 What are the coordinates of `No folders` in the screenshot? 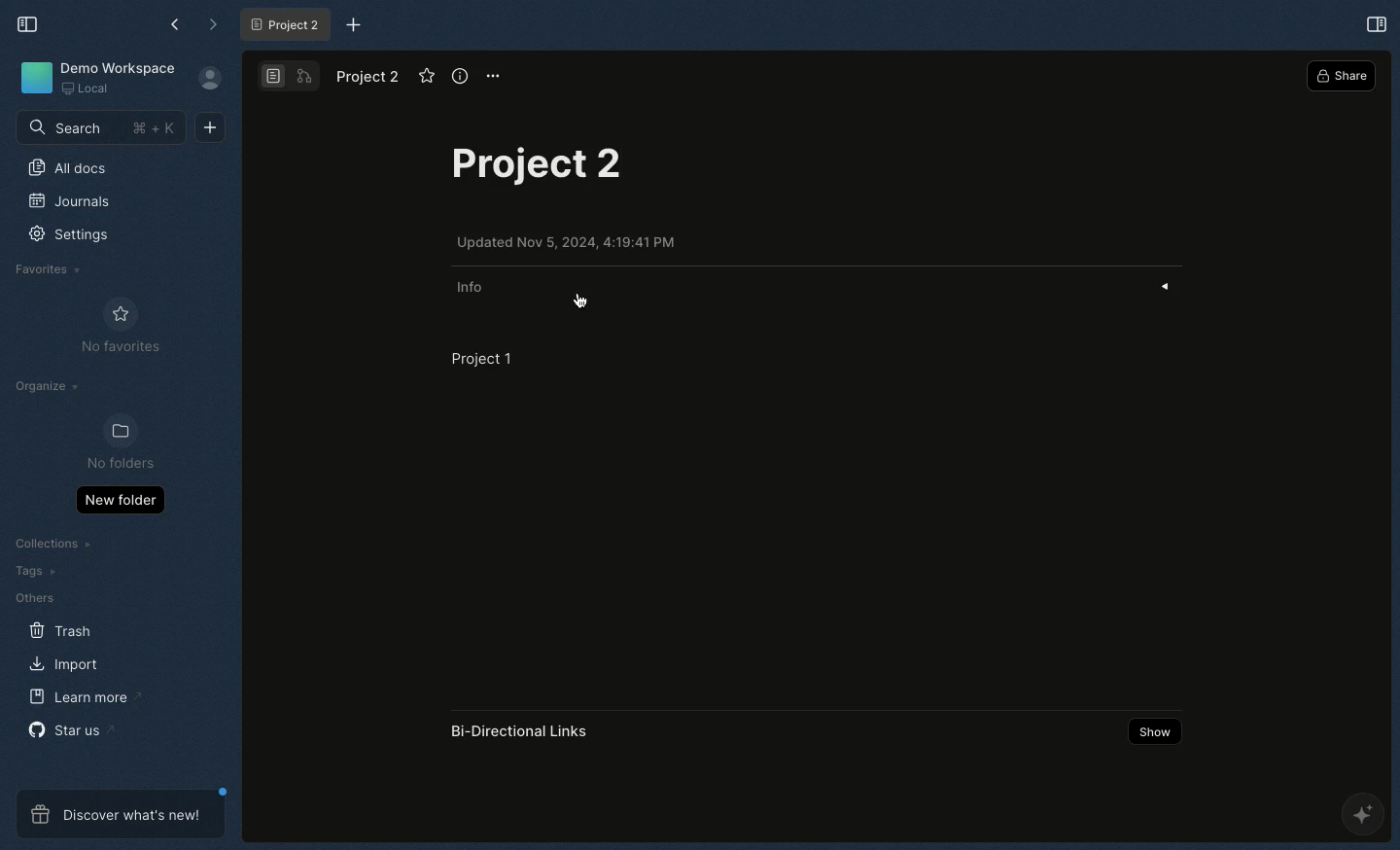 It's located at (122, 443).